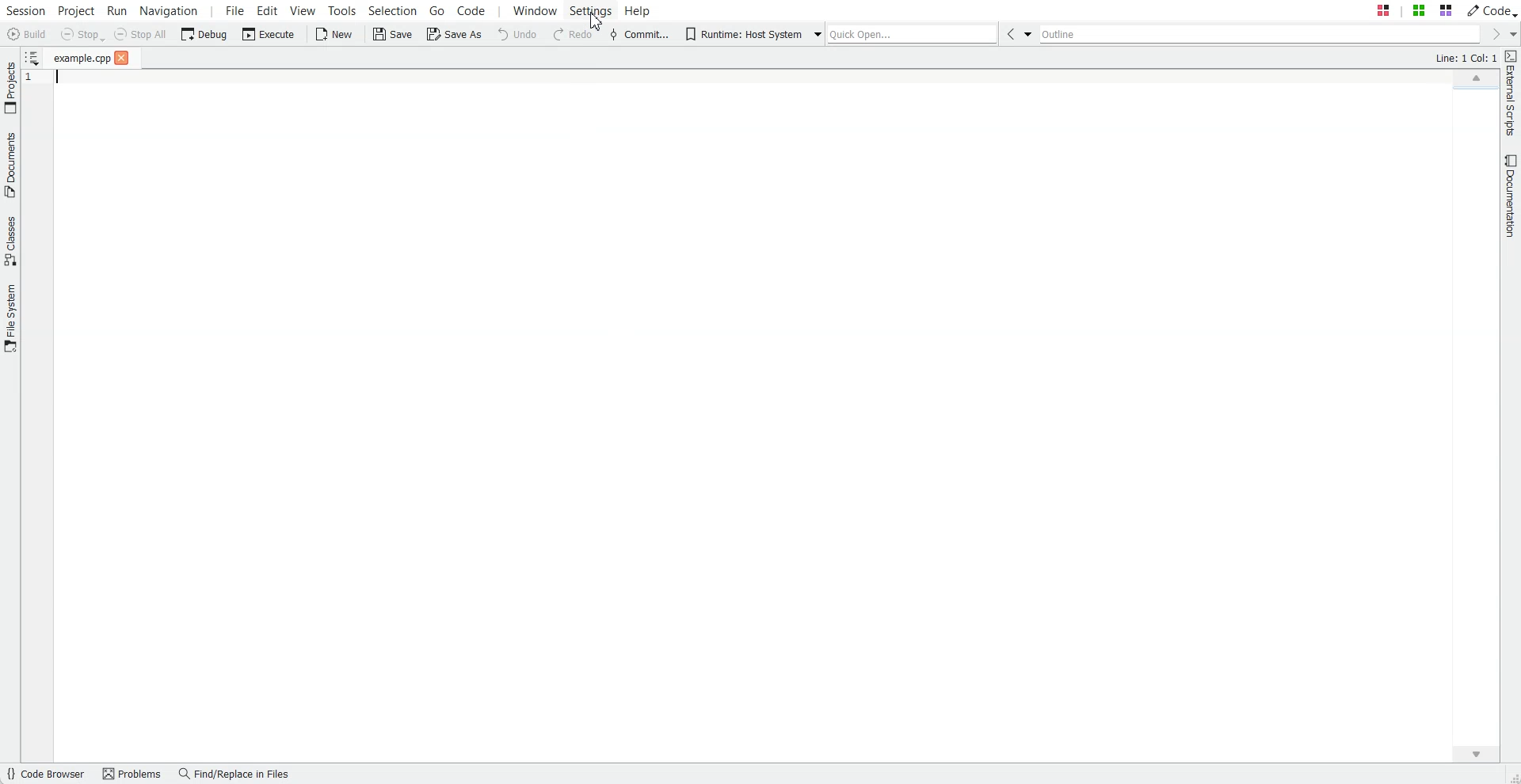 Image resolution: width=1521 pixels, height=784 pixels. What do you see at coordinates (1475, 76) in the screenshot?
I see `Scroll up` at bounding box center [1475, 76].